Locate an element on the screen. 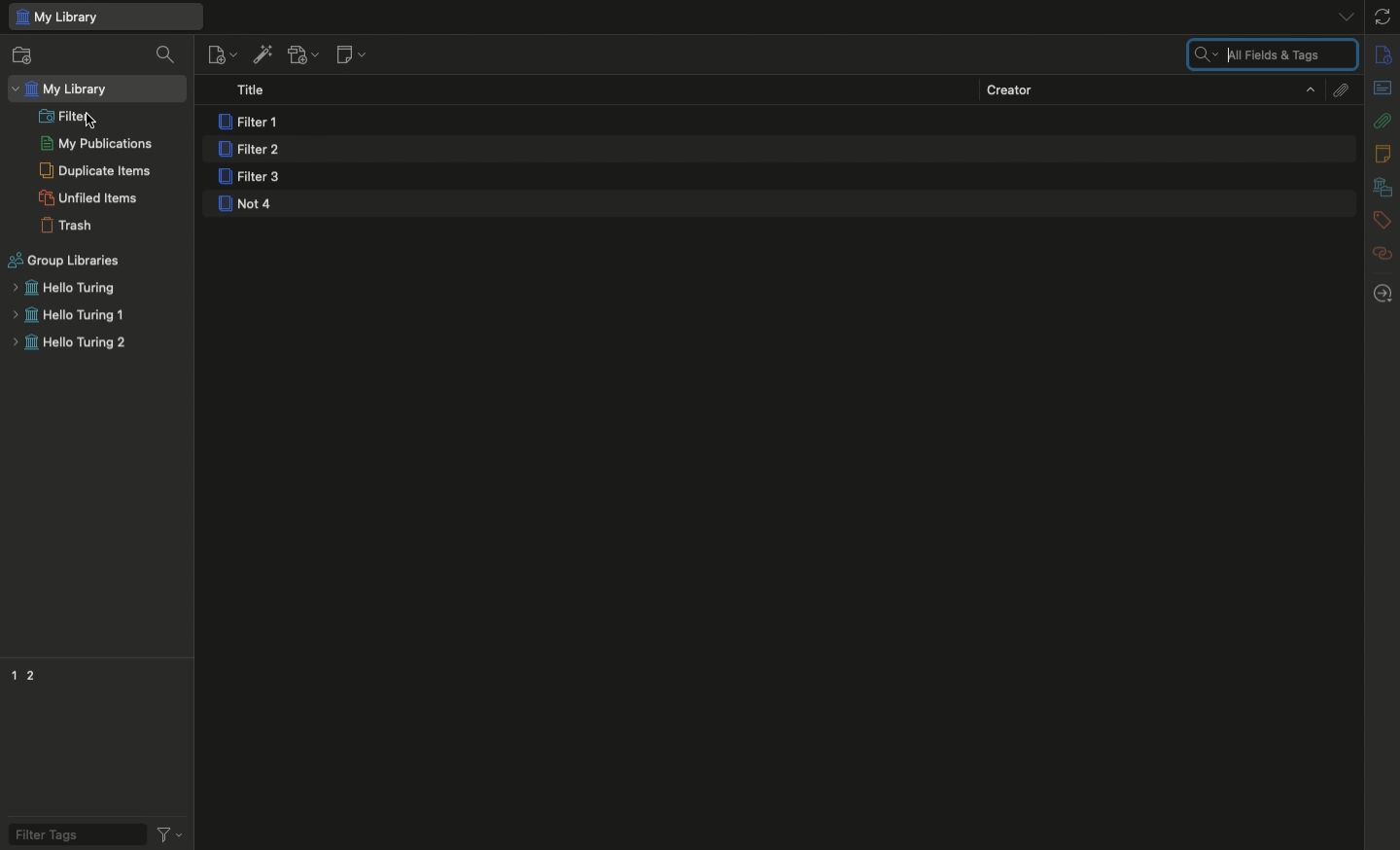 The height and width of the screenshot is (850, 1400). Attachments is located at coordinates (1339, 89).